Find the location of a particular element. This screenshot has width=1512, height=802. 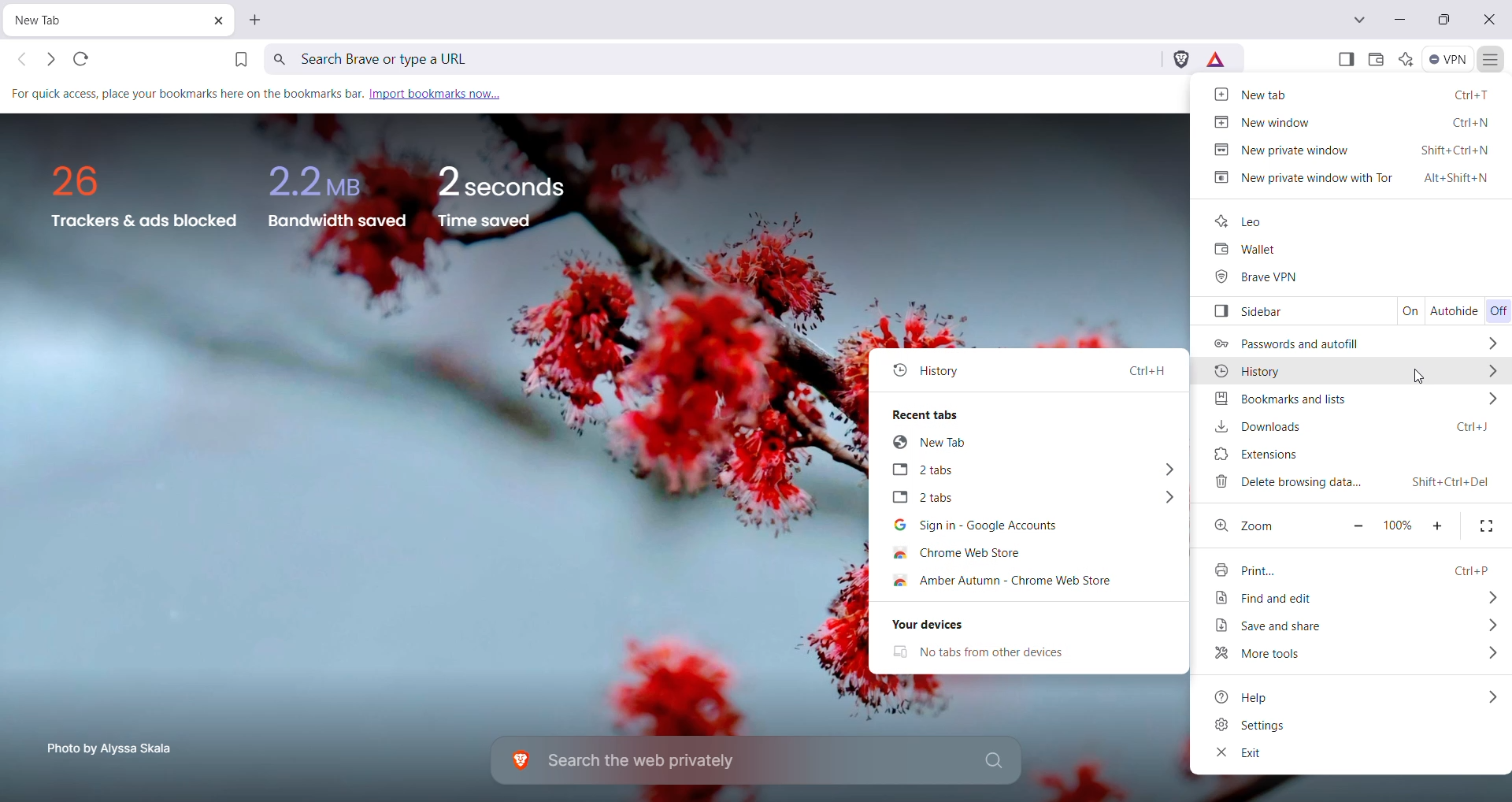

Photo by Alyssa Skala is located at coordinates (115, 747).